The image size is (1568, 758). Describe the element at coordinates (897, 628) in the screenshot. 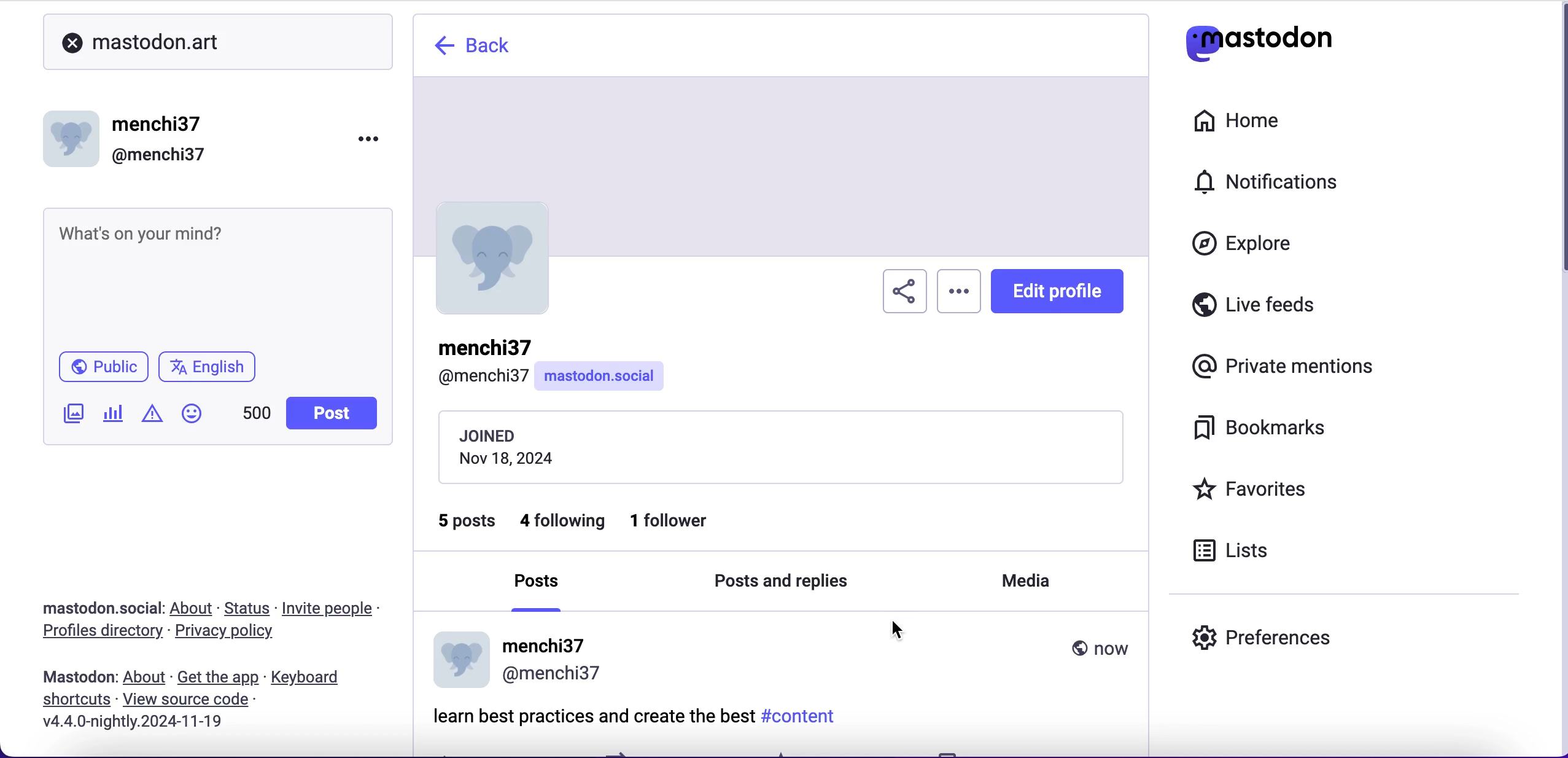

I see `cursor` at that location.